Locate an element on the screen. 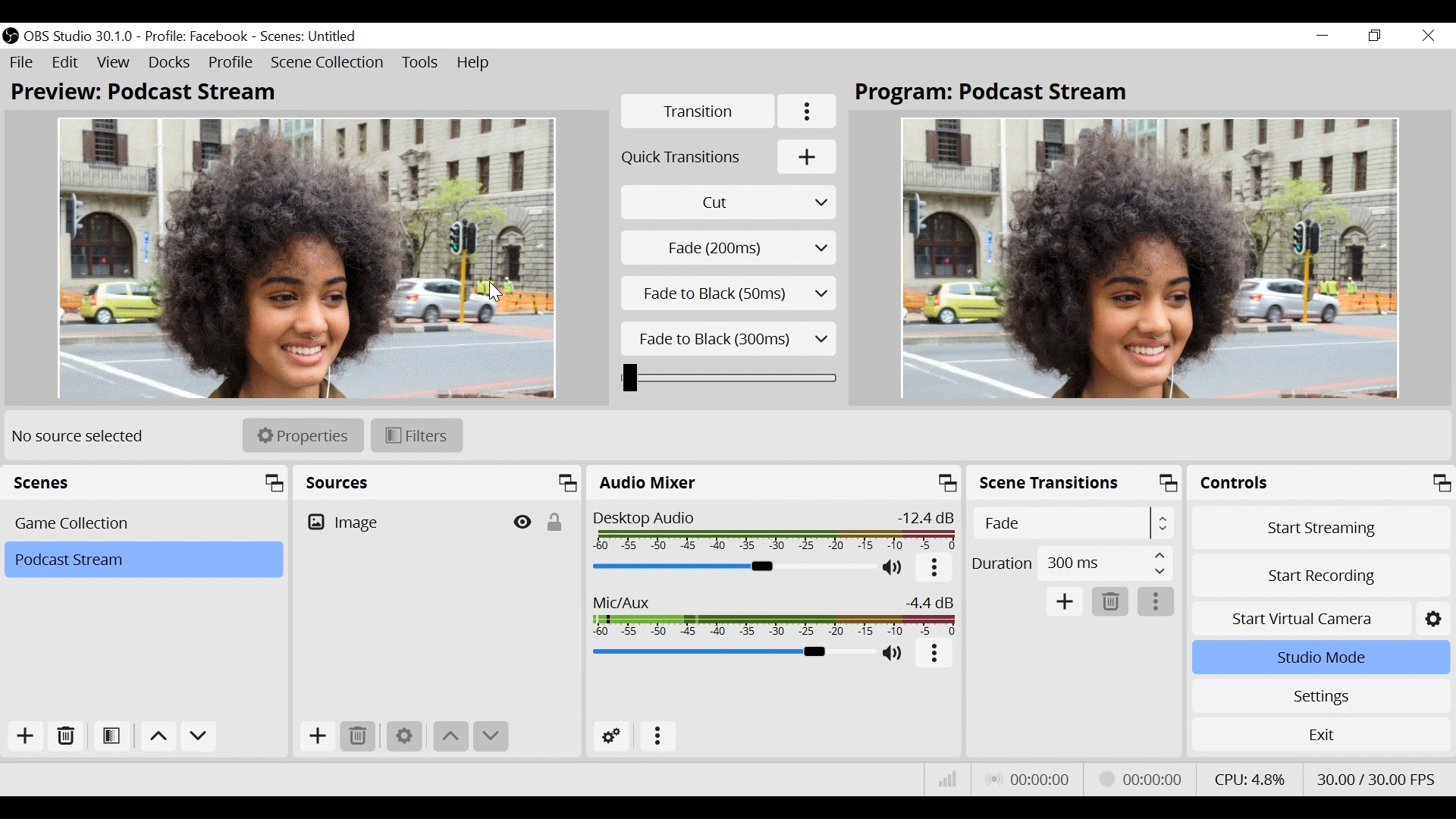  Scene is located at coordinates (310, 35).